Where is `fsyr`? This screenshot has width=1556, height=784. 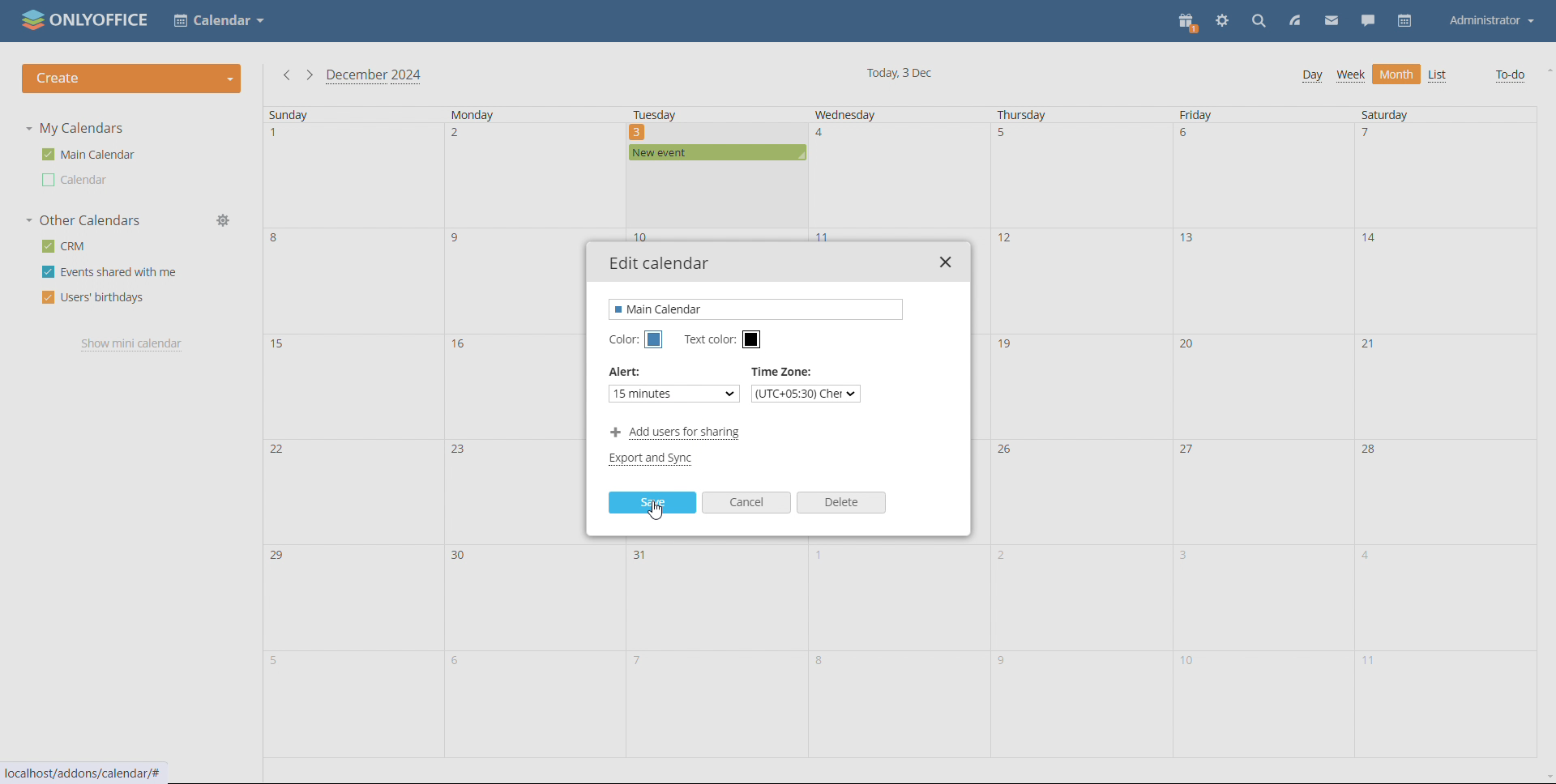
fsyr is located at coordinates (1079, 705).